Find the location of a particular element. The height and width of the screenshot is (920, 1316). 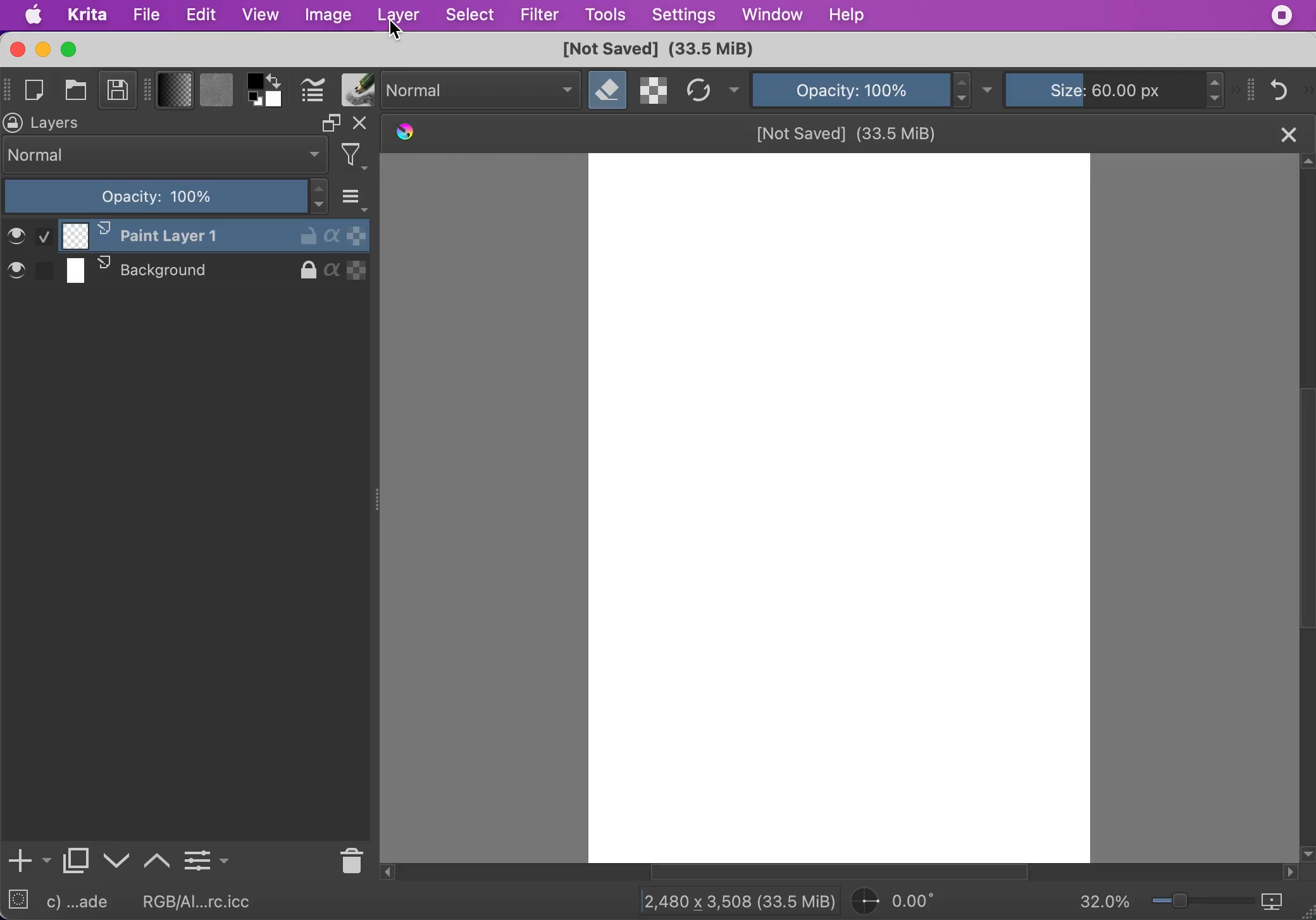

create a new document is located at coordinates (38, 90).